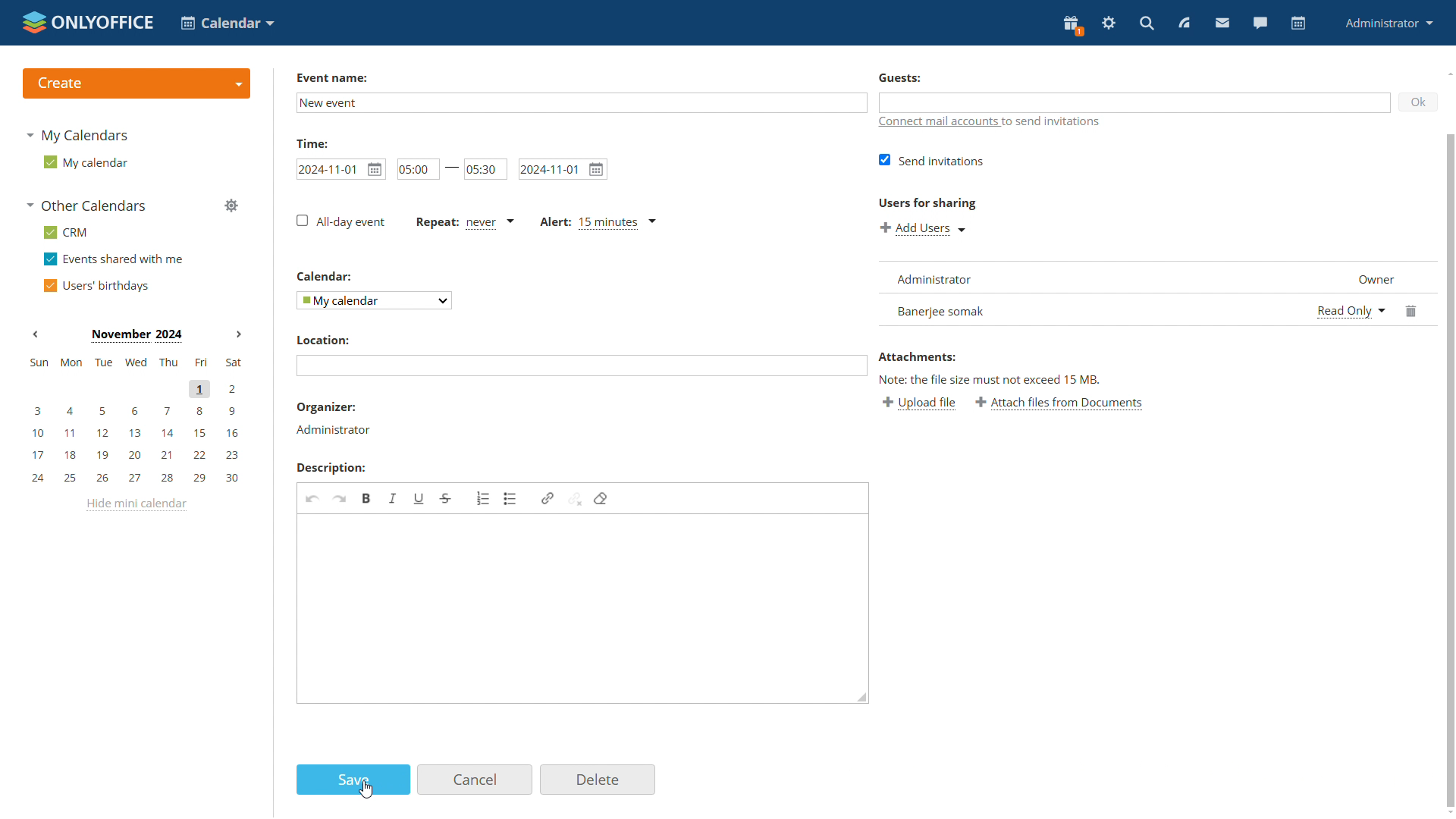  What do you see at coordinates (226, 22) in the screenshot?
I see `choose application` at bounding box center [226, 22].